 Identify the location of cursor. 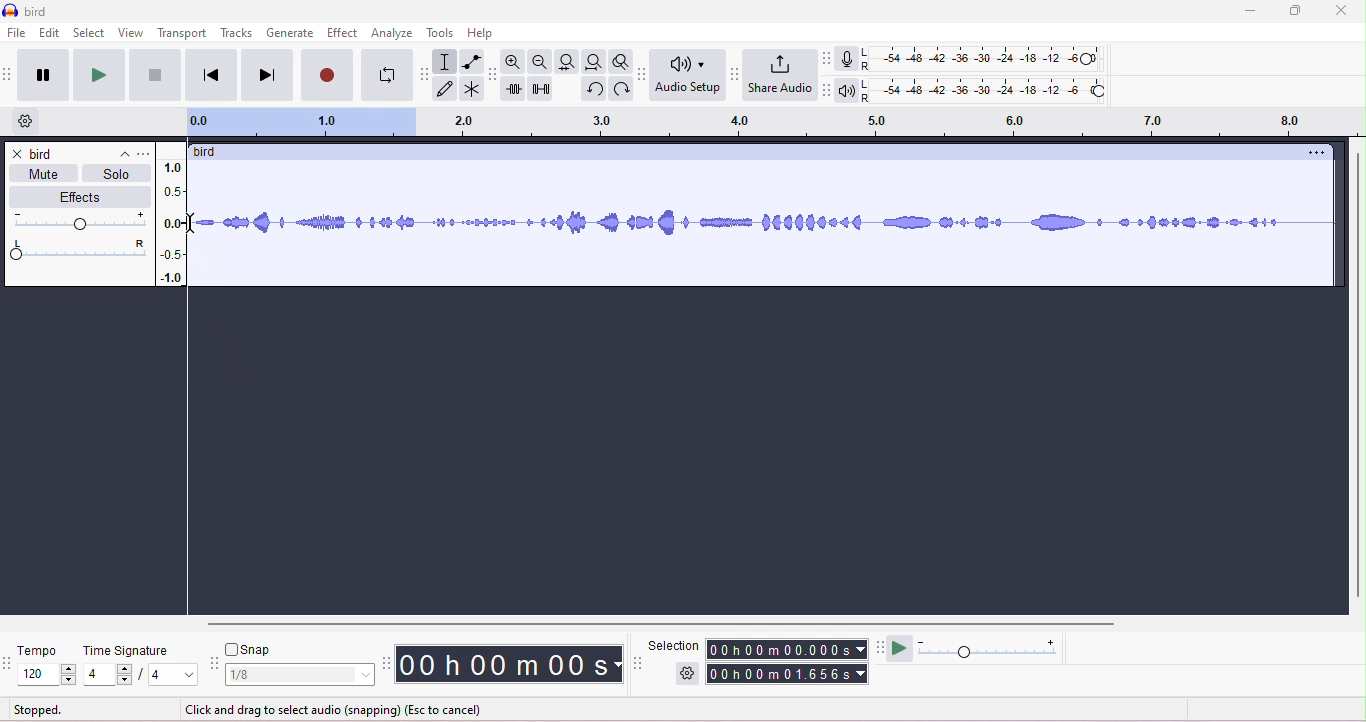
(194, 222).